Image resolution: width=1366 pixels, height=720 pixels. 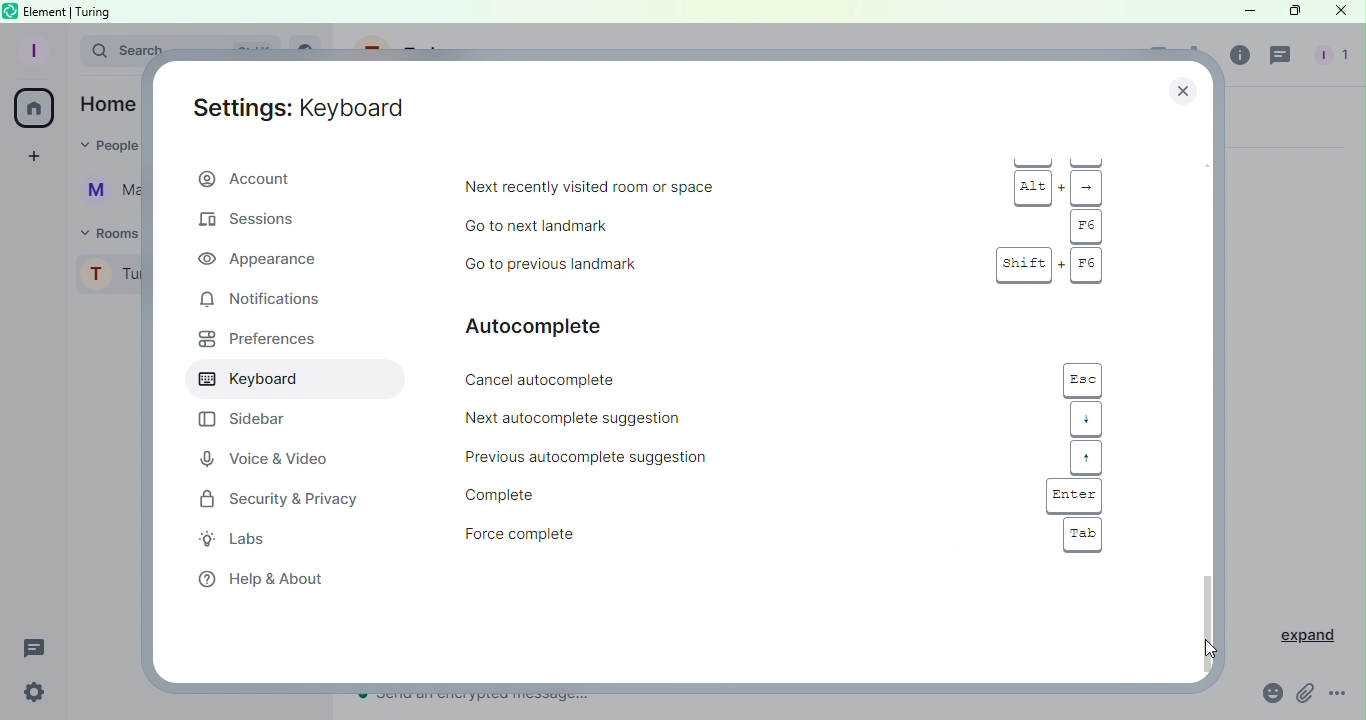 What do you see at coordinates (285, 381) in the screenshot?
I see `Keyboard` at bounding box center [285, 381].